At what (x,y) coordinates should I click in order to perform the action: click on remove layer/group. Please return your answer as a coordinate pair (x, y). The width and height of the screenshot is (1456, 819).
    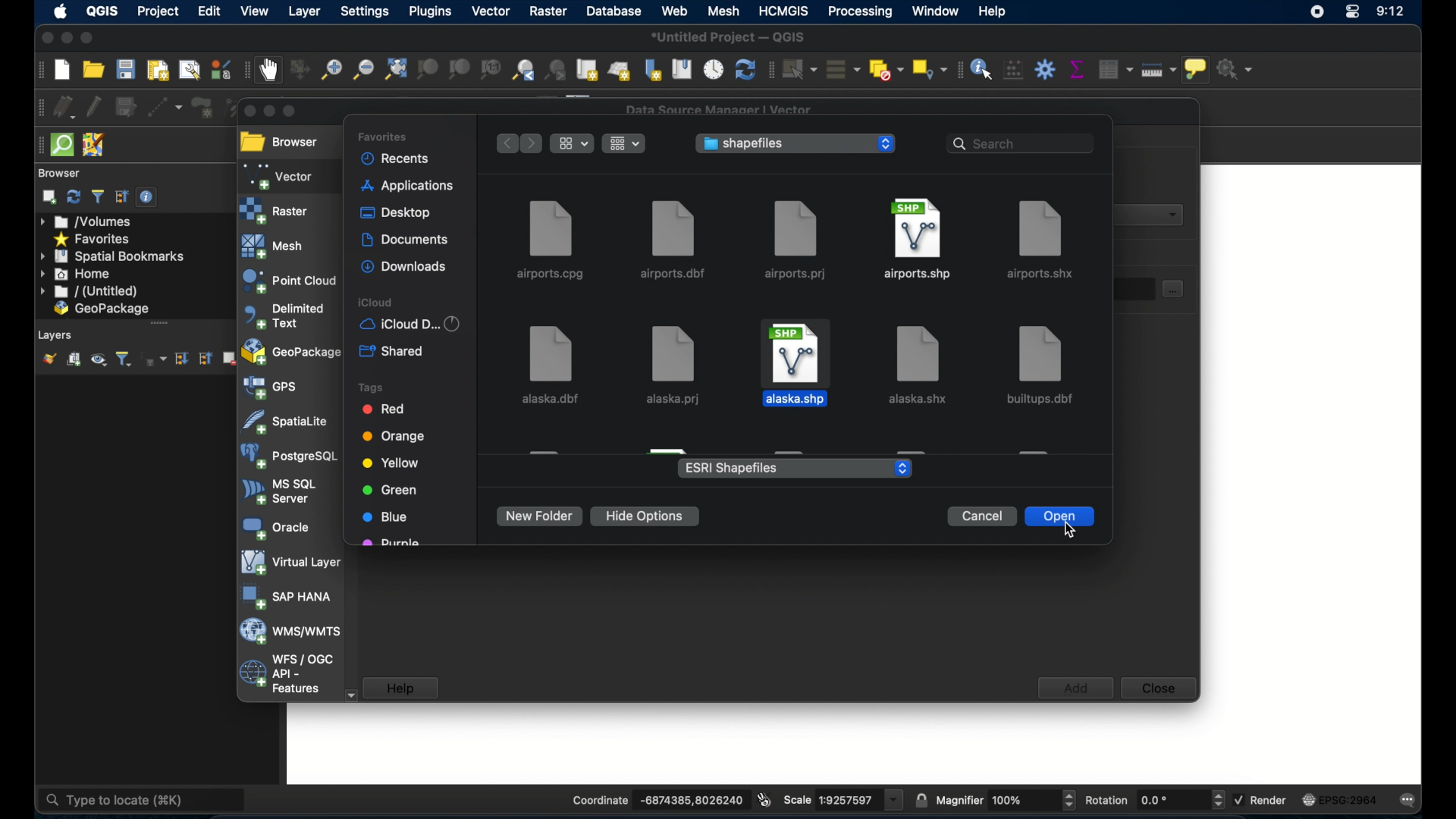
    Looking at the image, I should click on (231, 359).